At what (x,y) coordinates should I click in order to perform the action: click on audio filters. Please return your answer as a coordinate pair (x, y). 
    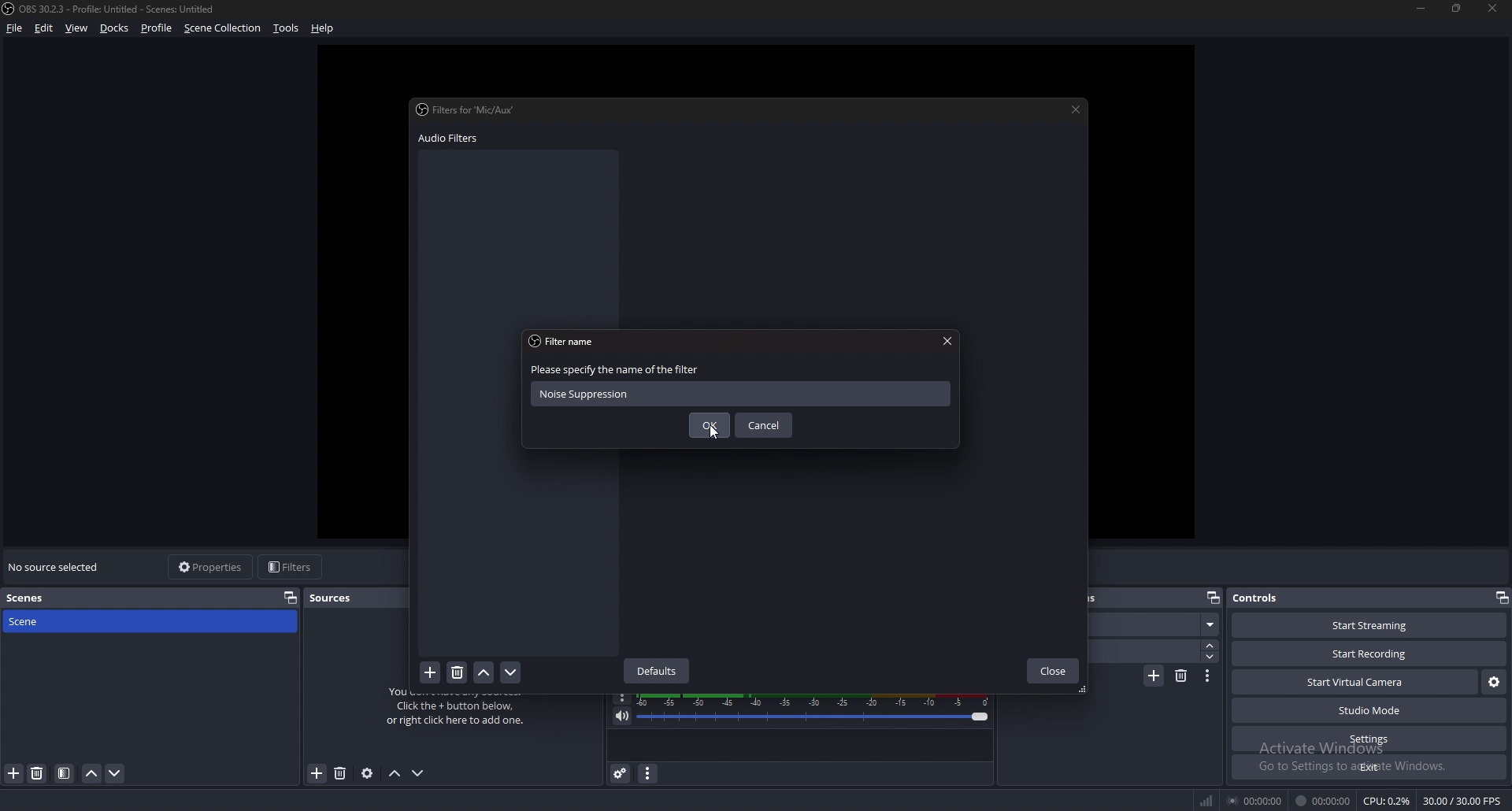
    Looking at the image, I should click on (454, 139).